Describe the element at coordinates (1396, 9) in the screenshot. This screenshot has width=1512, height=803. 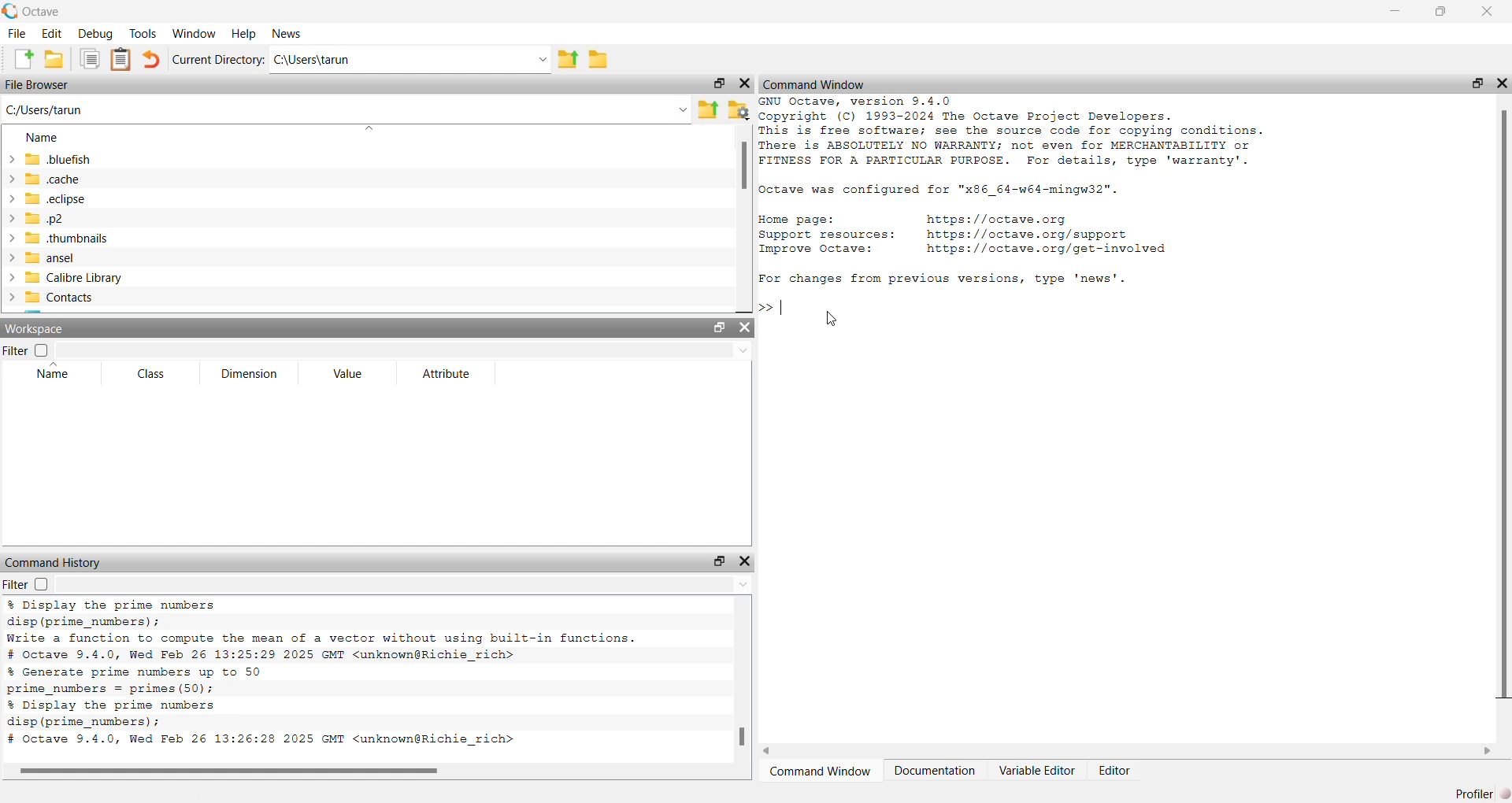
I see `minimise` at that location.